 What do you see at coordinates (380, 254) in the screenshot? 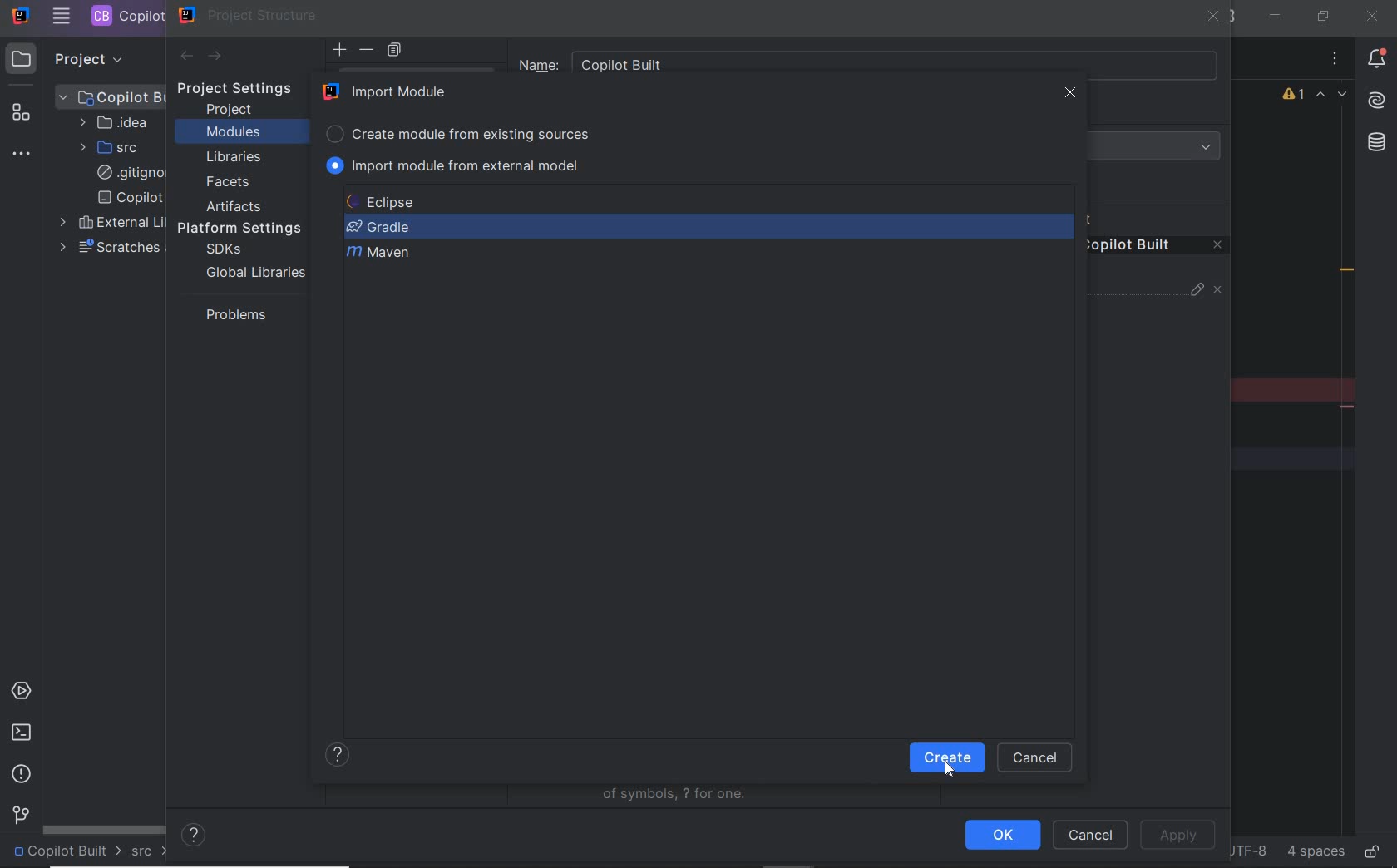
I see `Maven` at bounding box center [380, 254].